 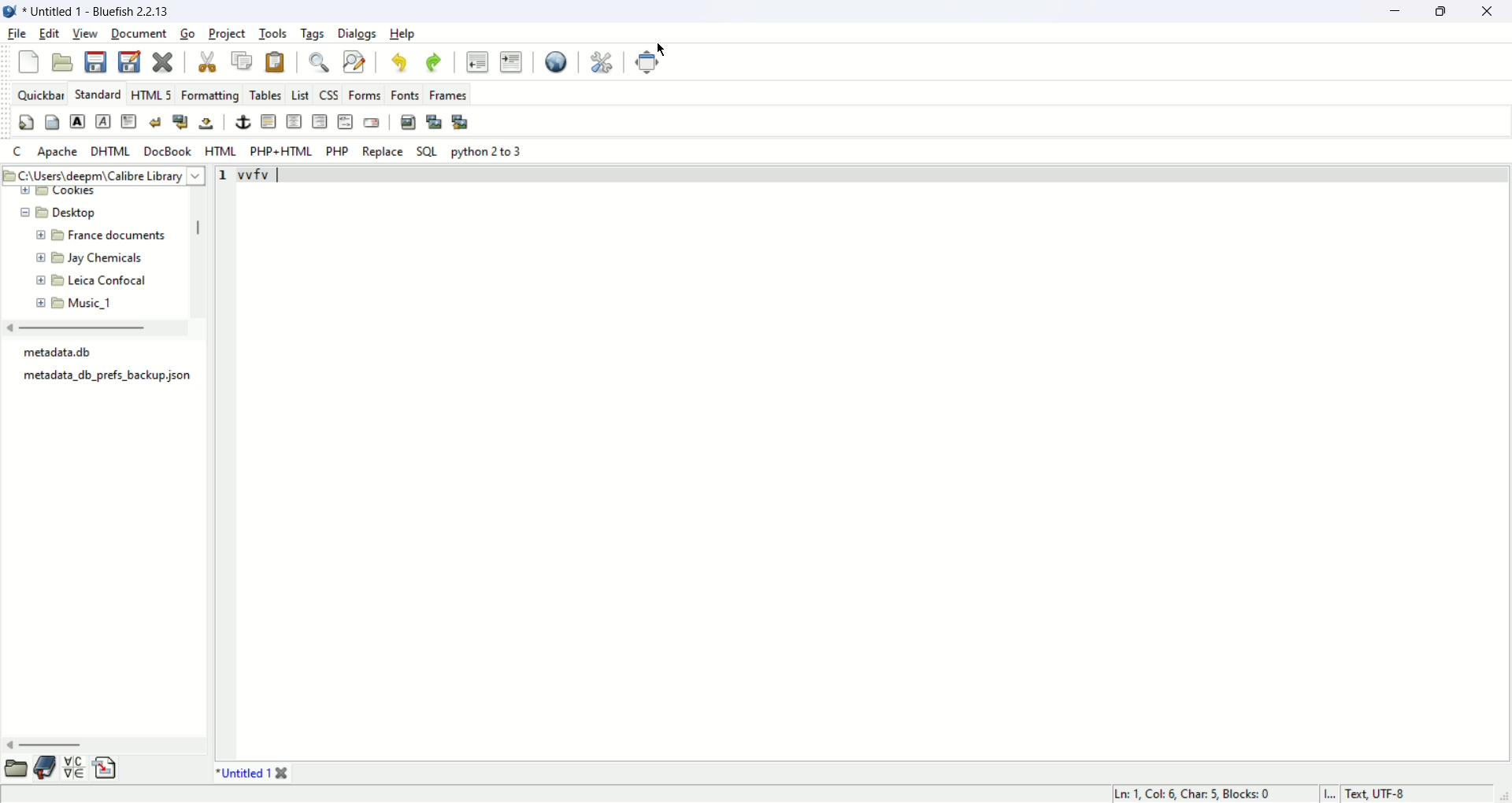 What do you see at coordinates (187, 33) in the screenshot?
I see `go` at bounding box center [187, 33].